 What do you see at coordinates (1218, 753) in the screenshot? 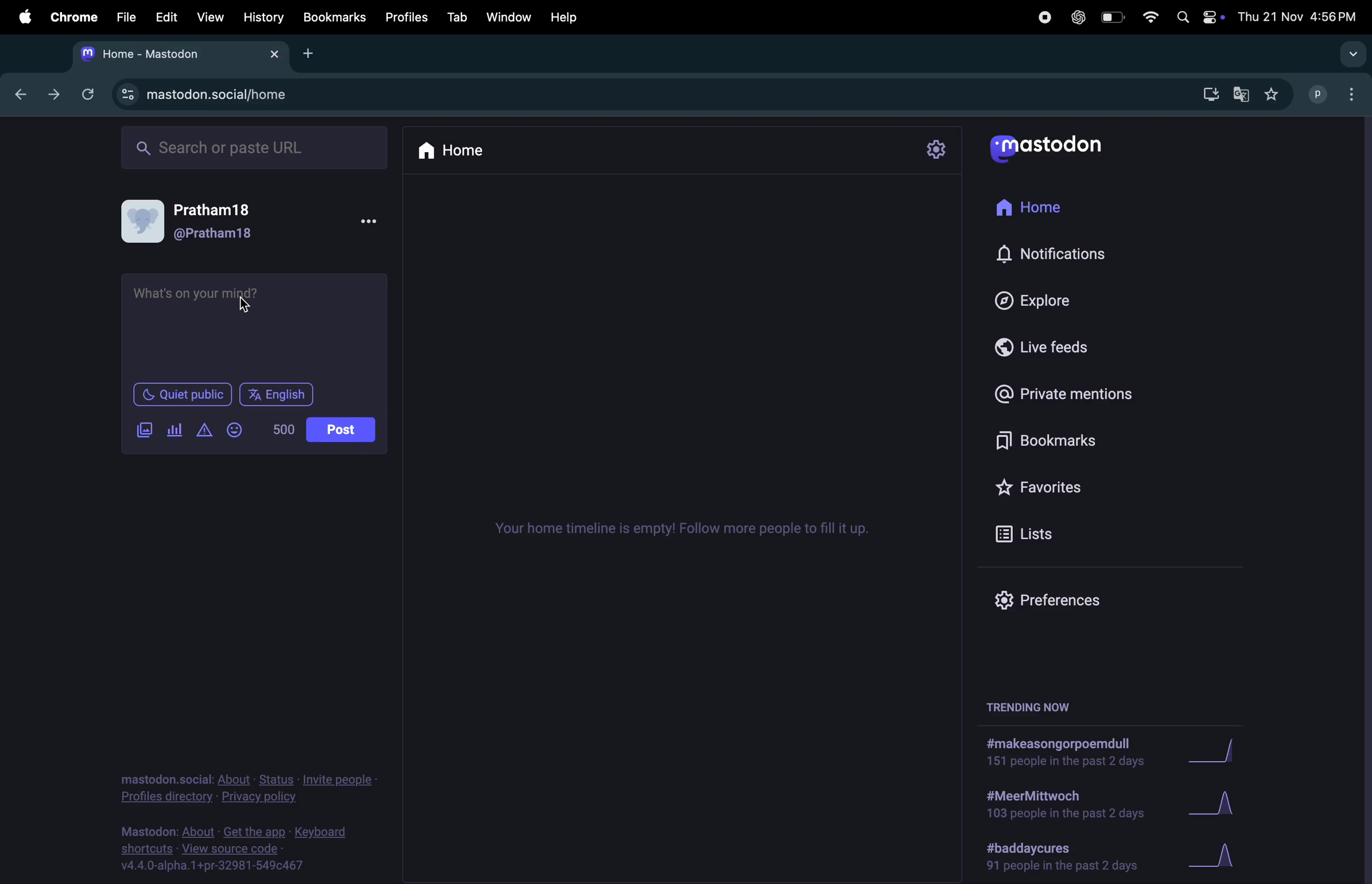
I see `graph` at bounding box center [1218, 753].